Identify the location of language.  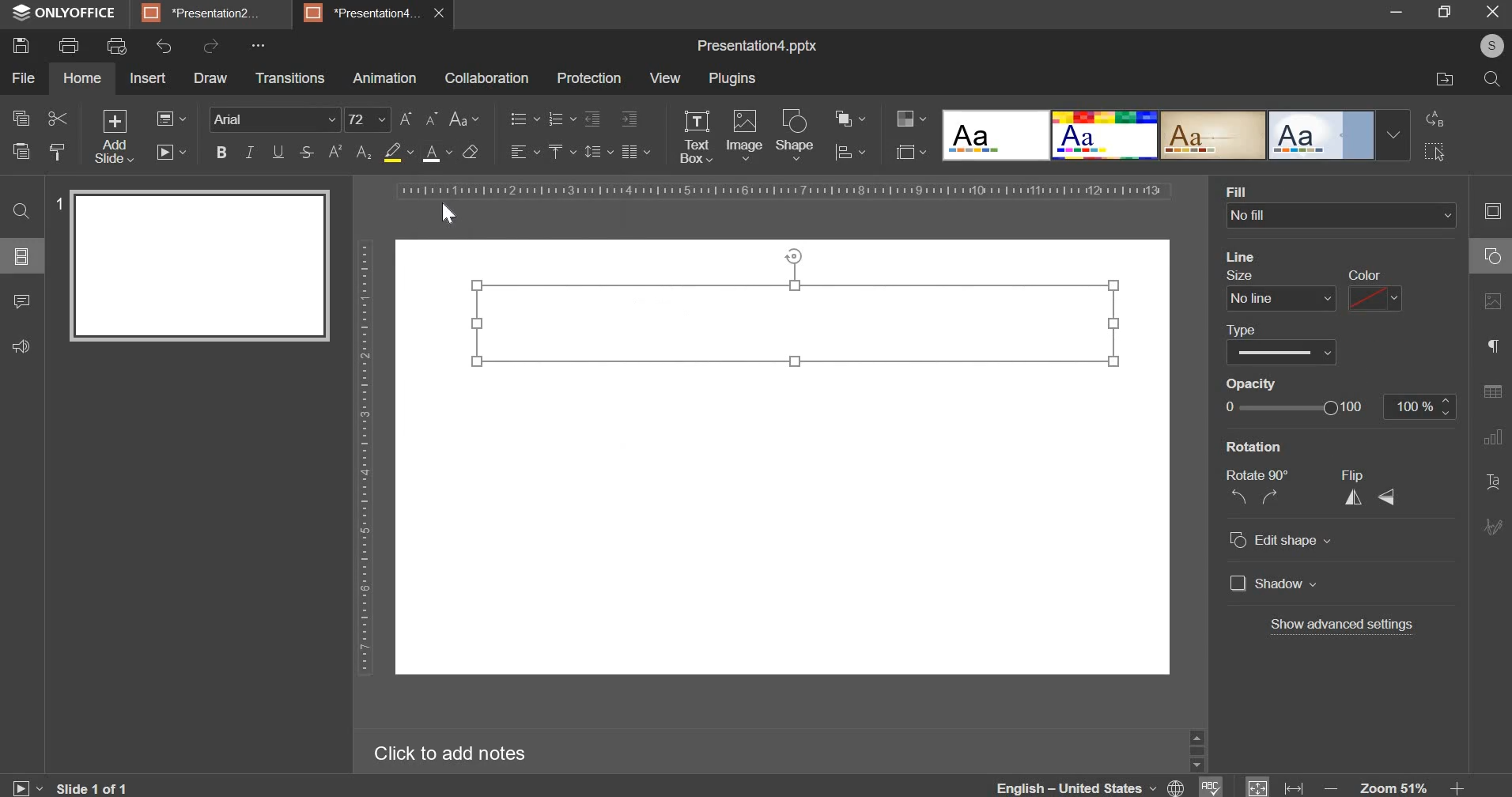
(1175, 787).